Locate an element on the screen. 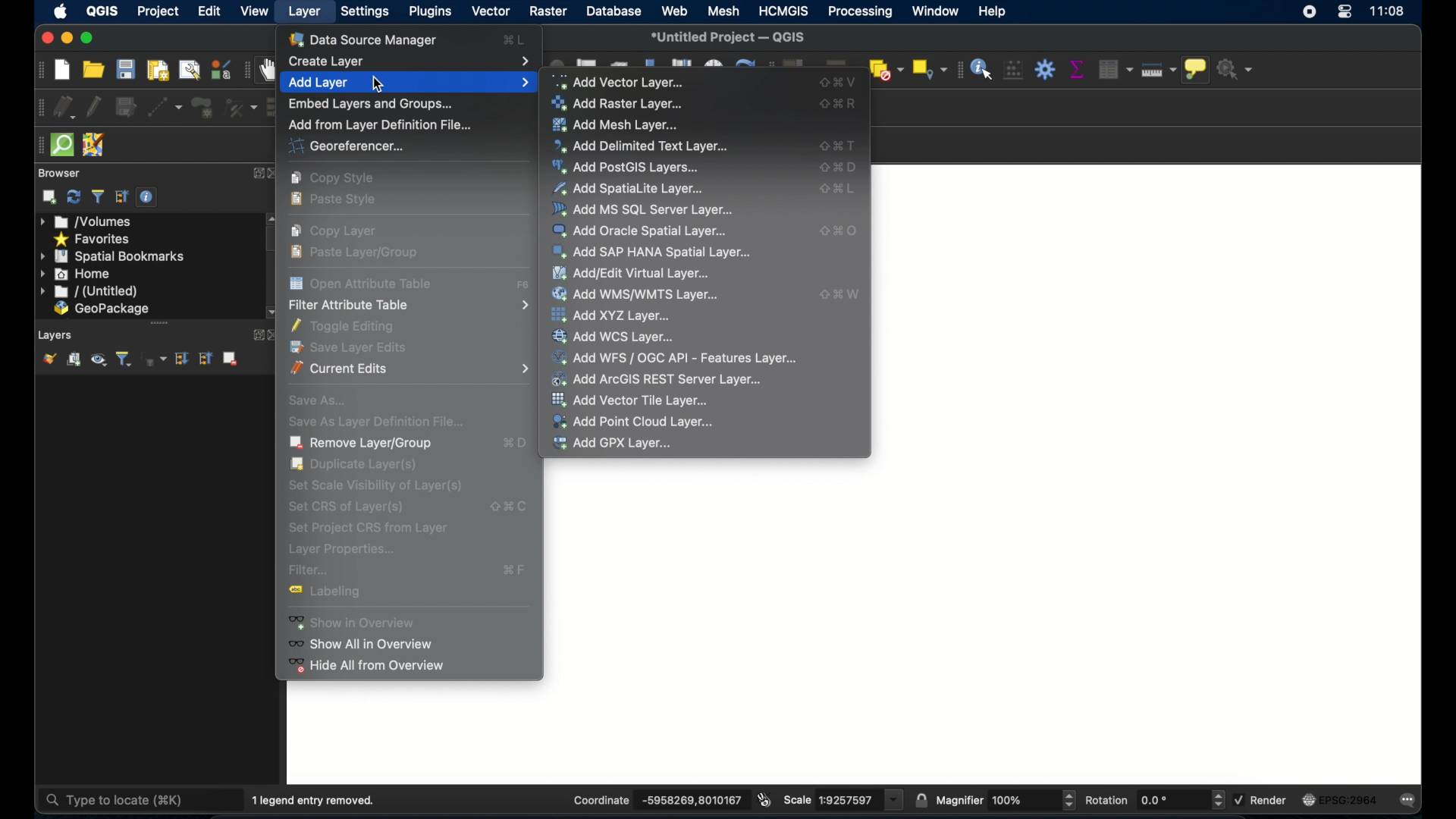 Image resolution: width=1456 pixels, height=819 pixels. save as is located at coordinates (318, 398).